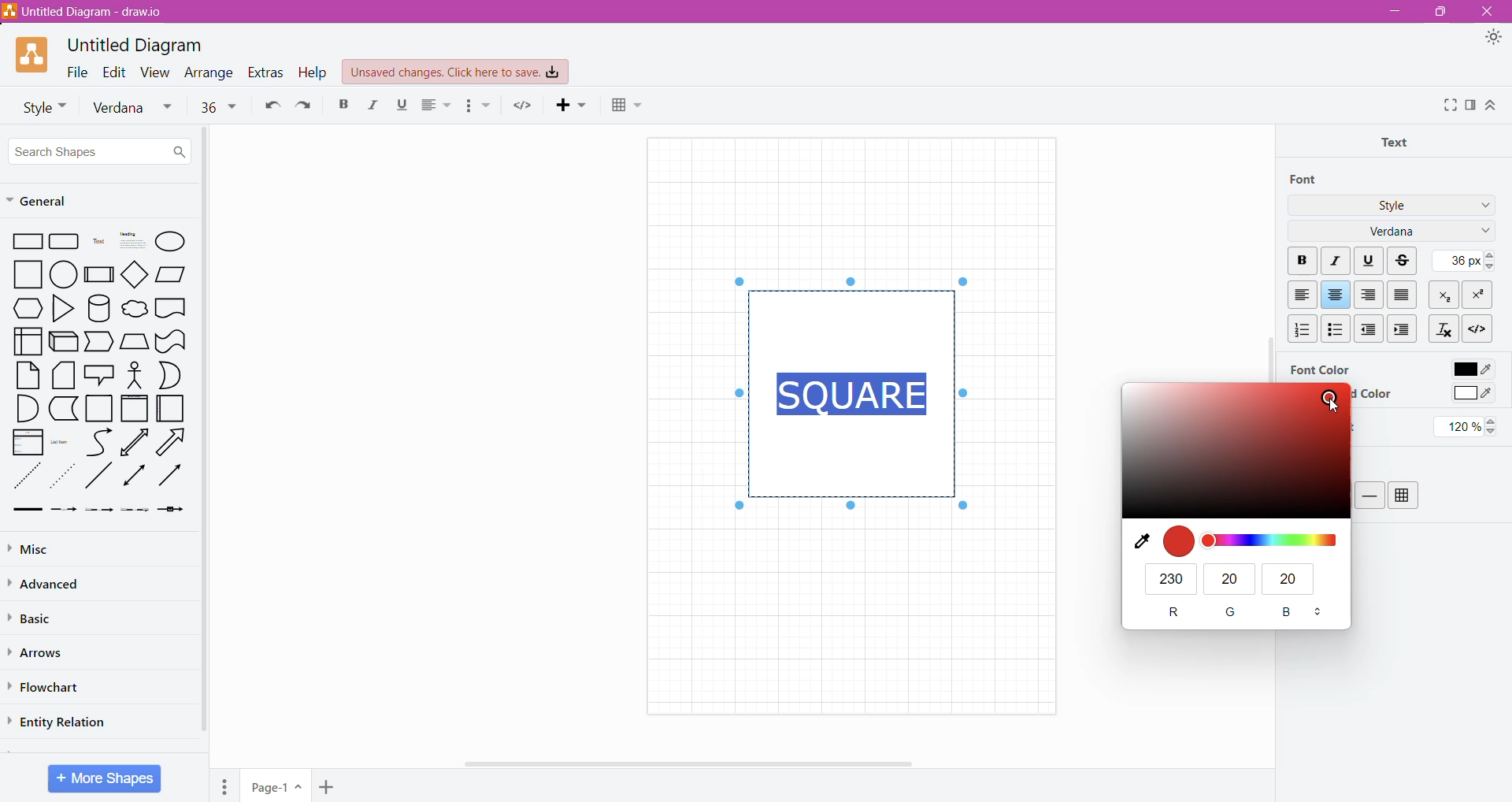 Image resolution: width=1512 pixels, height=802 pixels. What do you see at coordinates (525, 105) in the screenshot?
I see `HTML` at bounding box center [525, 105].